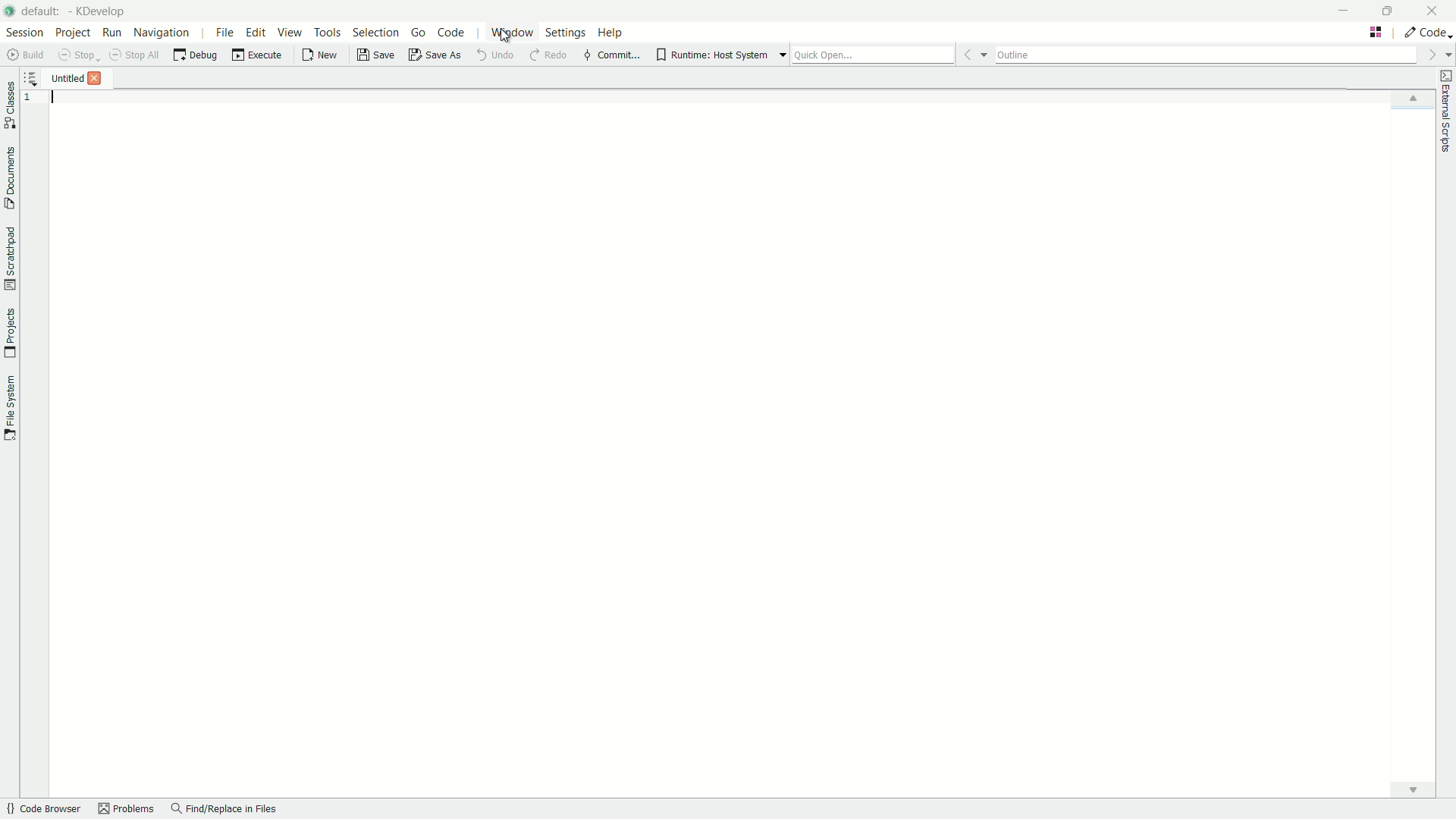 The width and height of the screenshot is (1456, 819). Describe the element at coordinates (34, 79) in the screenshot. I see `more options` at that location.